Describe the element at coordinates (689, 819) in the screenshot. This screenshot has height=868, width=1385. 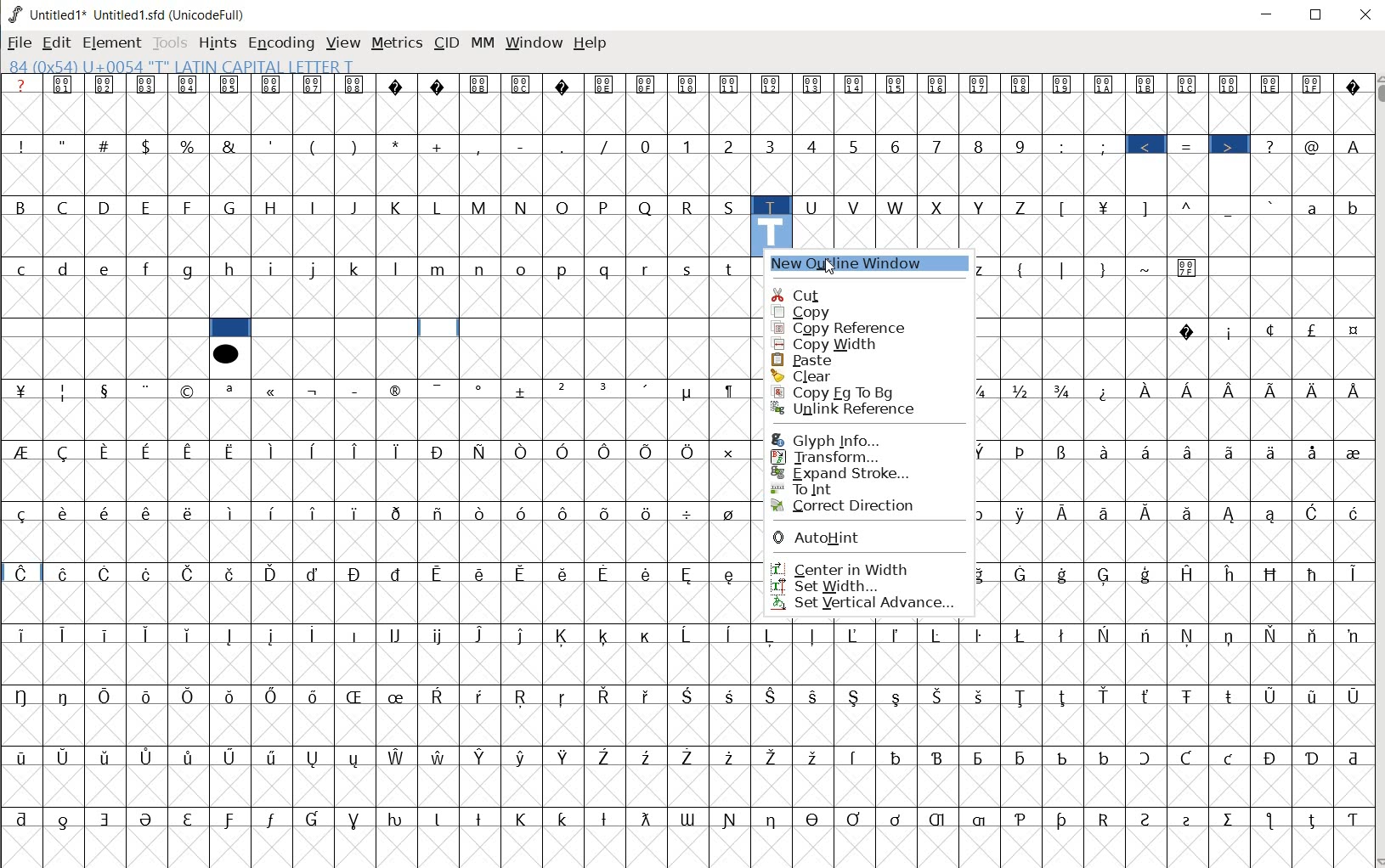
I see `Symbol` at that location.